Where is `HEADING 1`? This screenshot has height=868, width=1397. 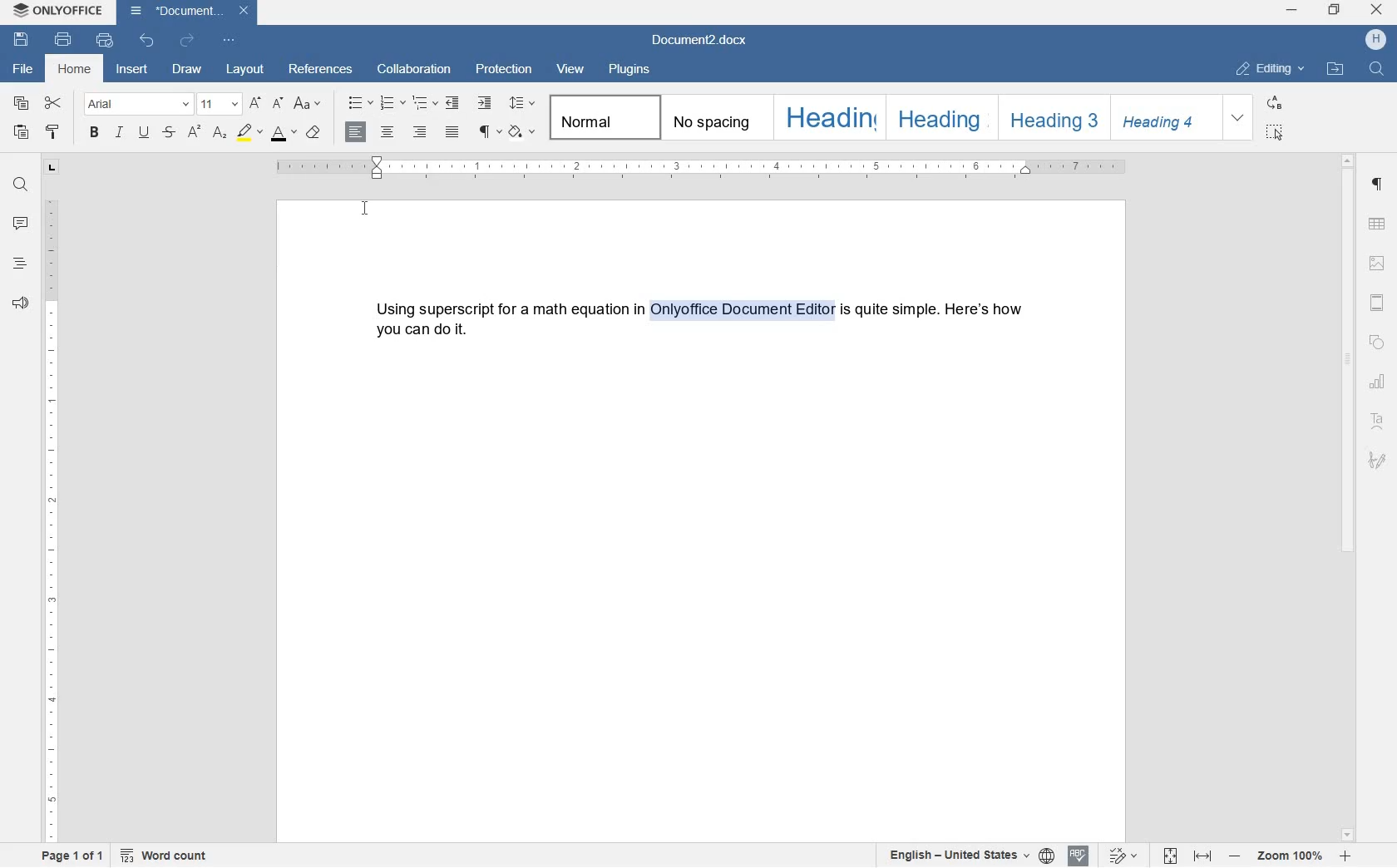 HEADING 1 is located at coordinates (827, 118).